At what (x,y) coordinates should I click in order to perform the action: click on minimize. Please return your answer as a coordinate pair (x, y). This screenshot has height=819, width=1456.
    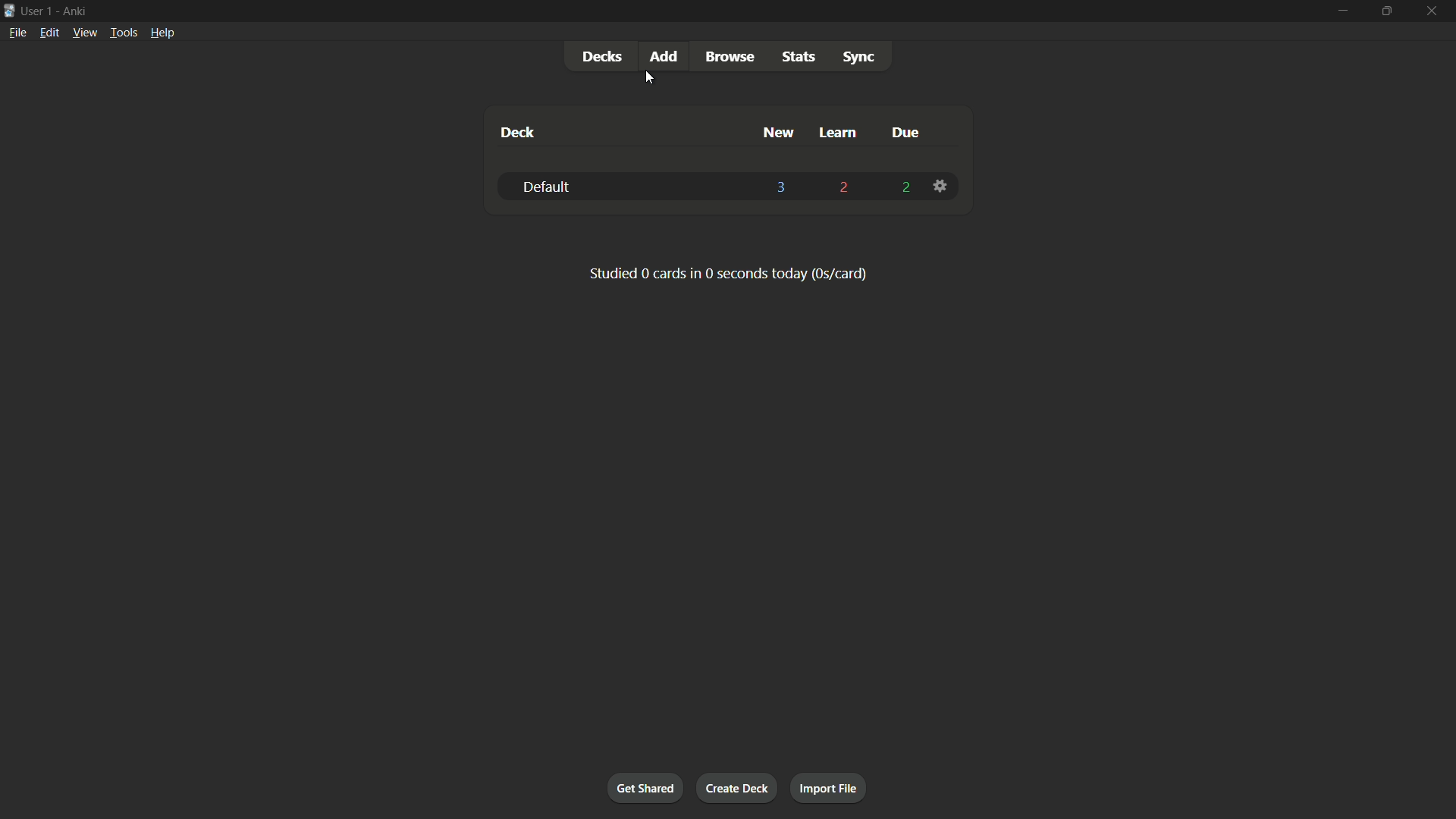
    Looking at the image, I should click on (1341, 10).